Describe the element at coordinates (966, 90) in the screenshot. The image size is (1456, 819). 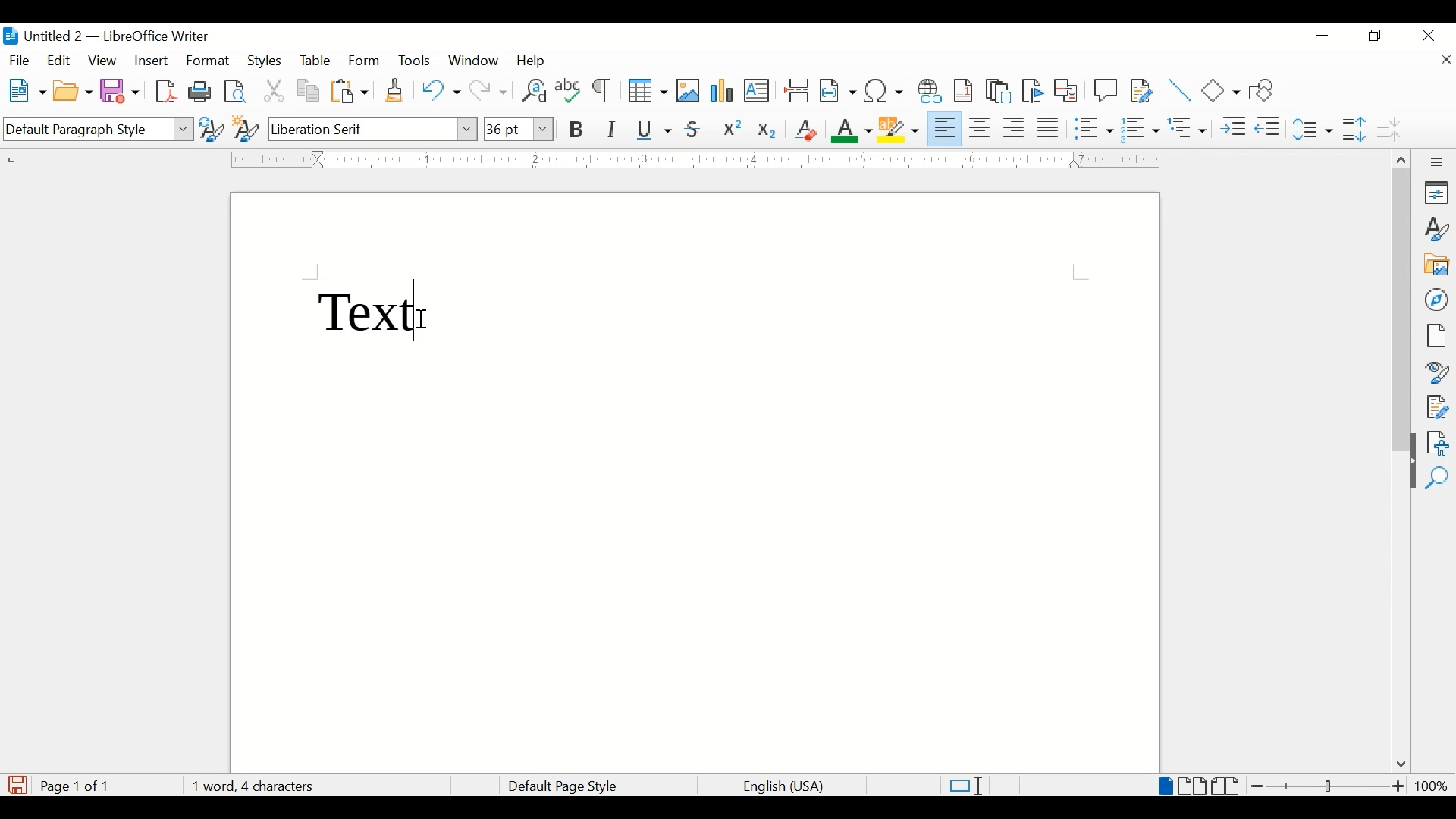
I see `insert footnote` at that location.